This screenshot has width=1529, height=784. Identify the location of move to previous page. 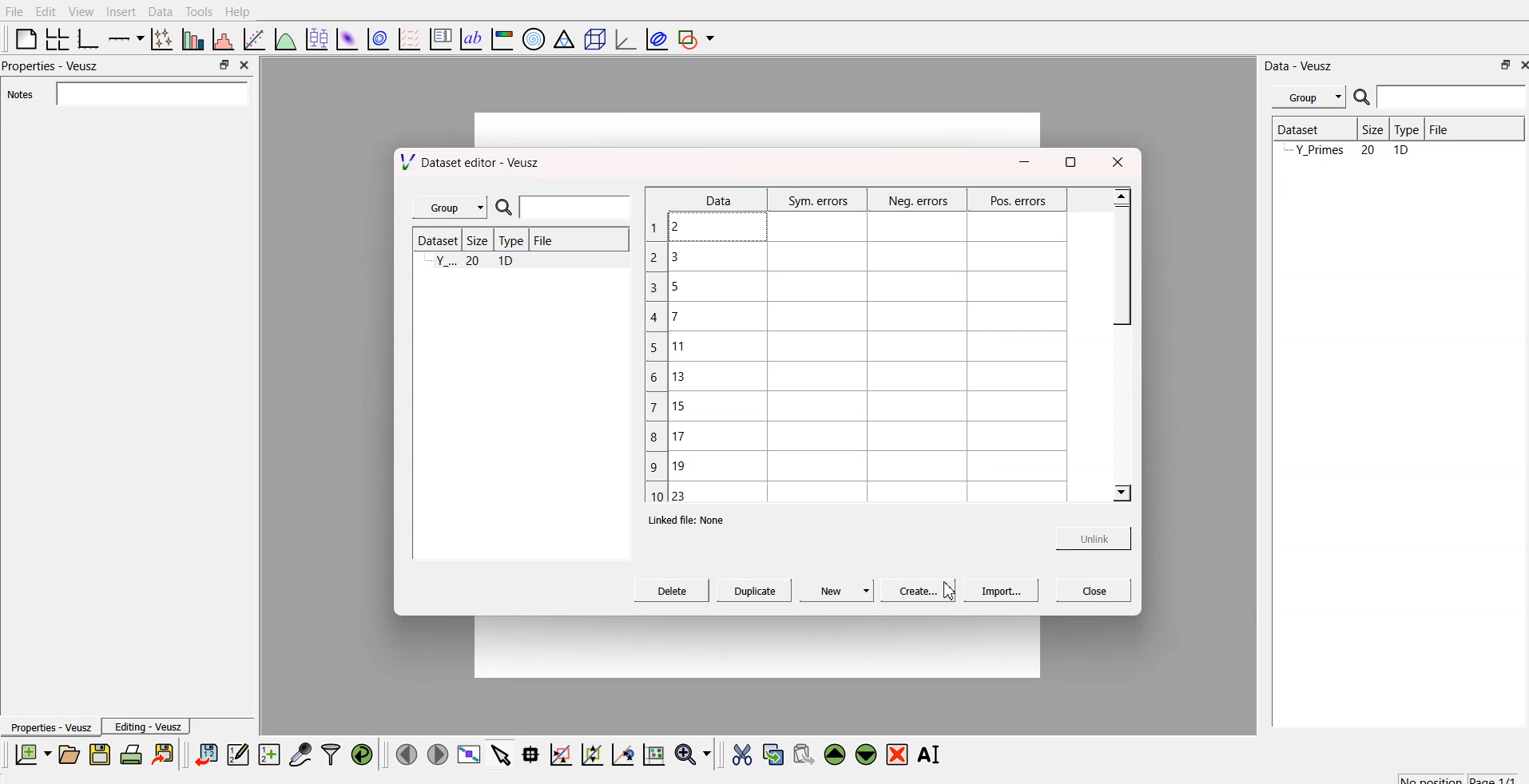
(404, 754).